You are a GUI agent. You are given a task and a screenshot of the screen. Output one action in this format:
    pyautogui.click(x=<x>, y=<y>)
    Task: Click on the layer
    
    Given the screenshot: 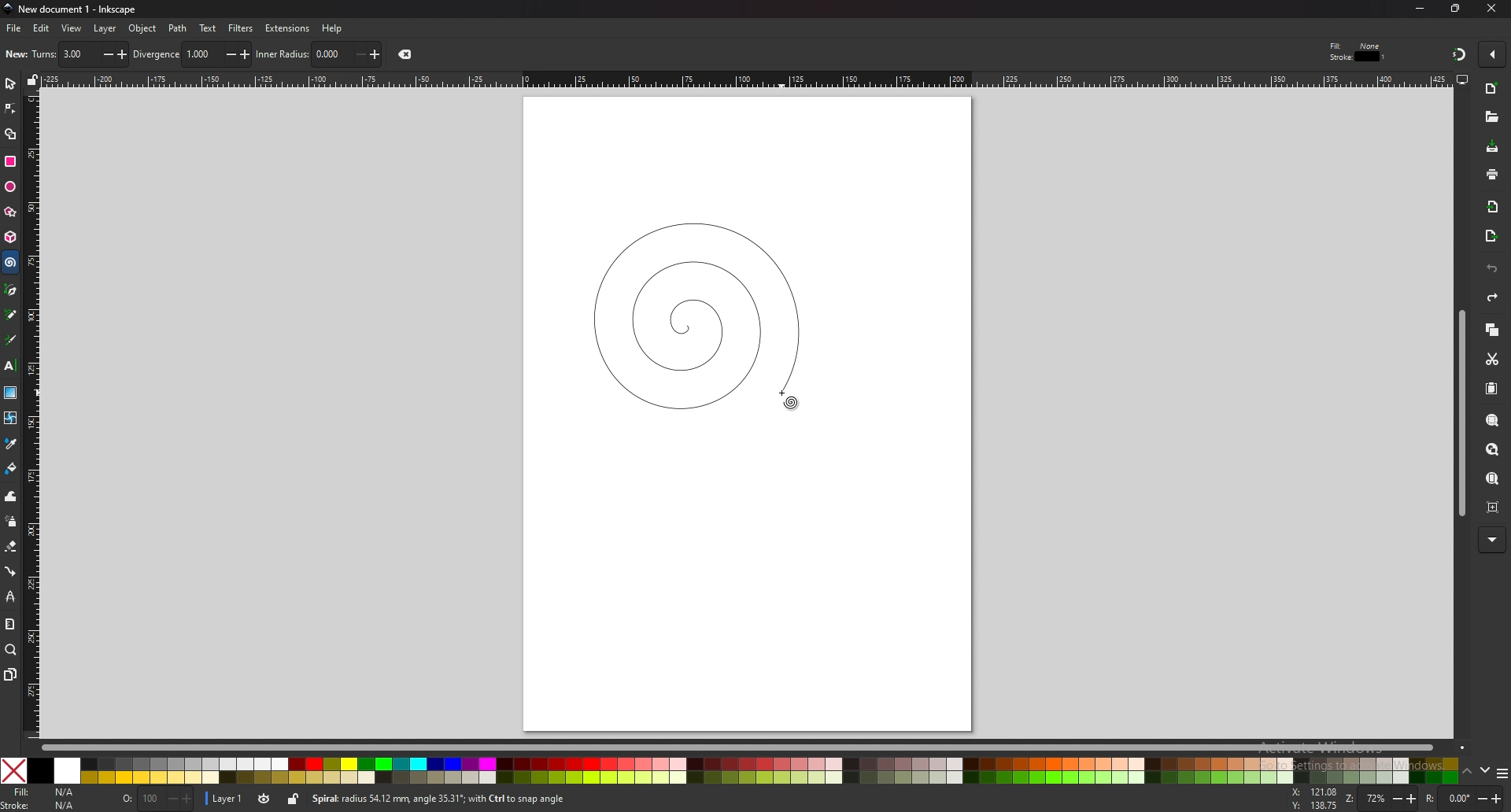 What is the action you would take?
    pyautogui.click(x=105, y=28)
    